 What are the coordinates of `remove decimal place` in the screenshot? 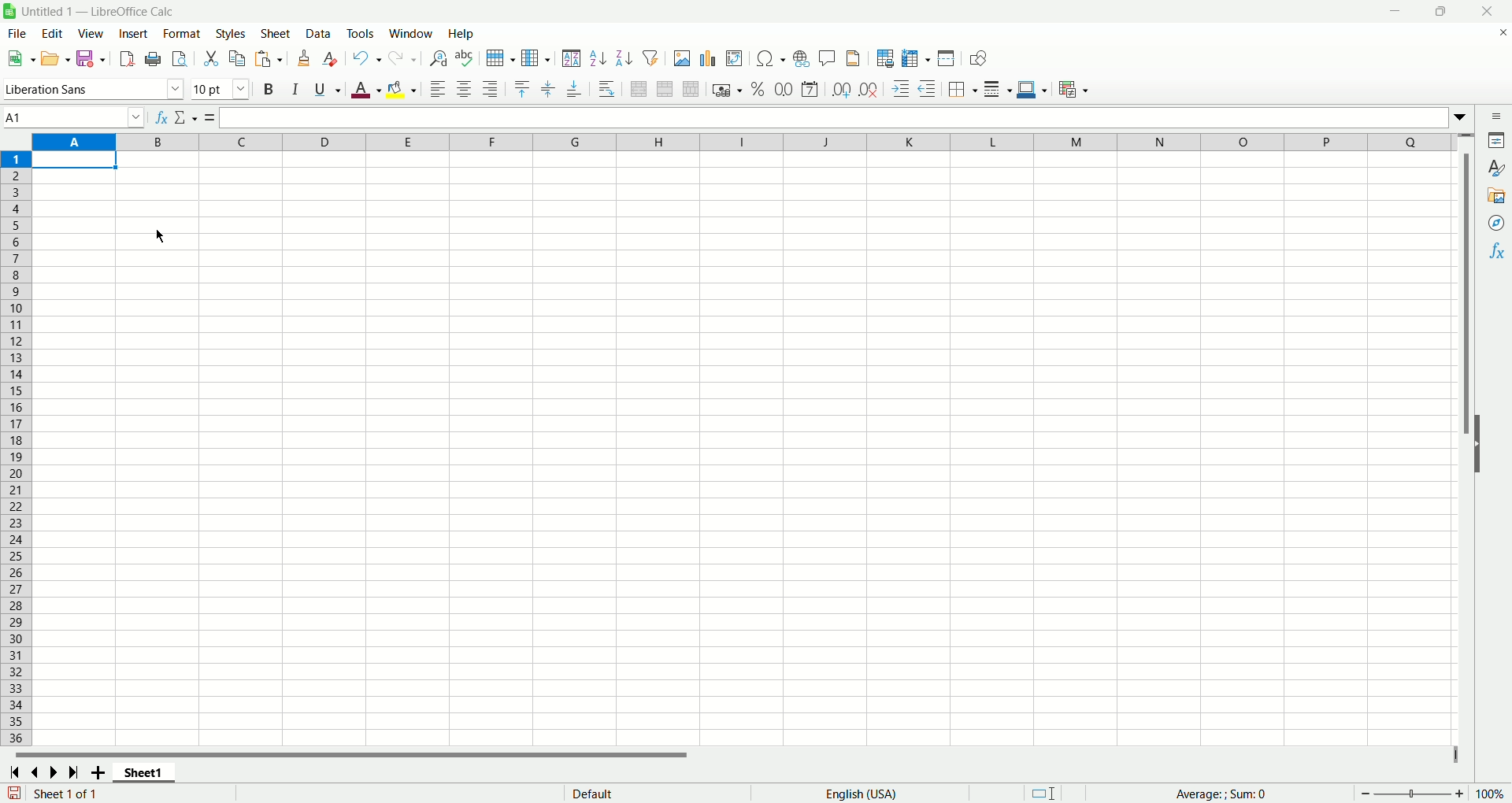 It's located at (869, 90).